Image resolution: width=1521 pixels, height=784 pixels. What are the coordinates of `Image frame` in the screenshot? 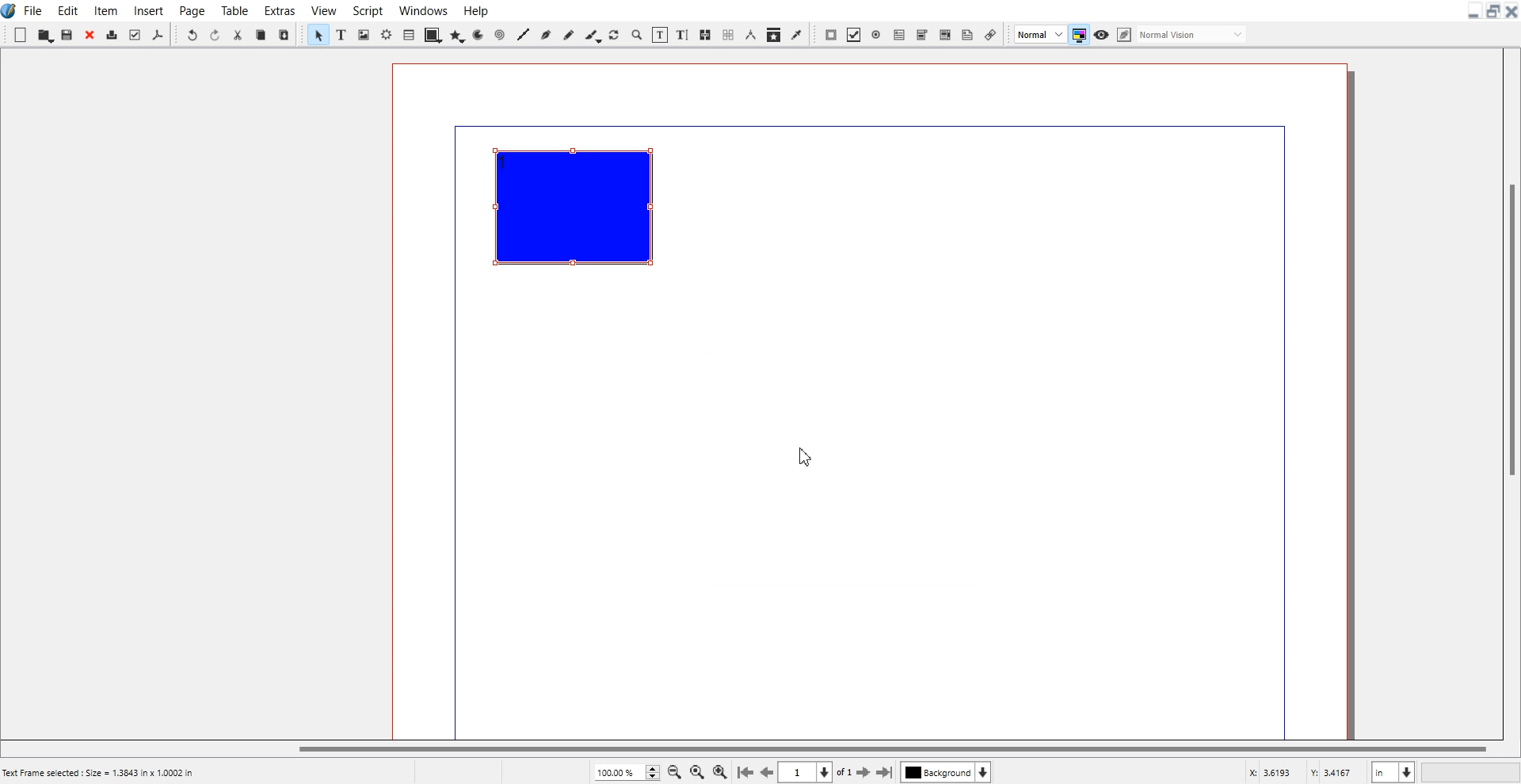 It's located at (363, 34).